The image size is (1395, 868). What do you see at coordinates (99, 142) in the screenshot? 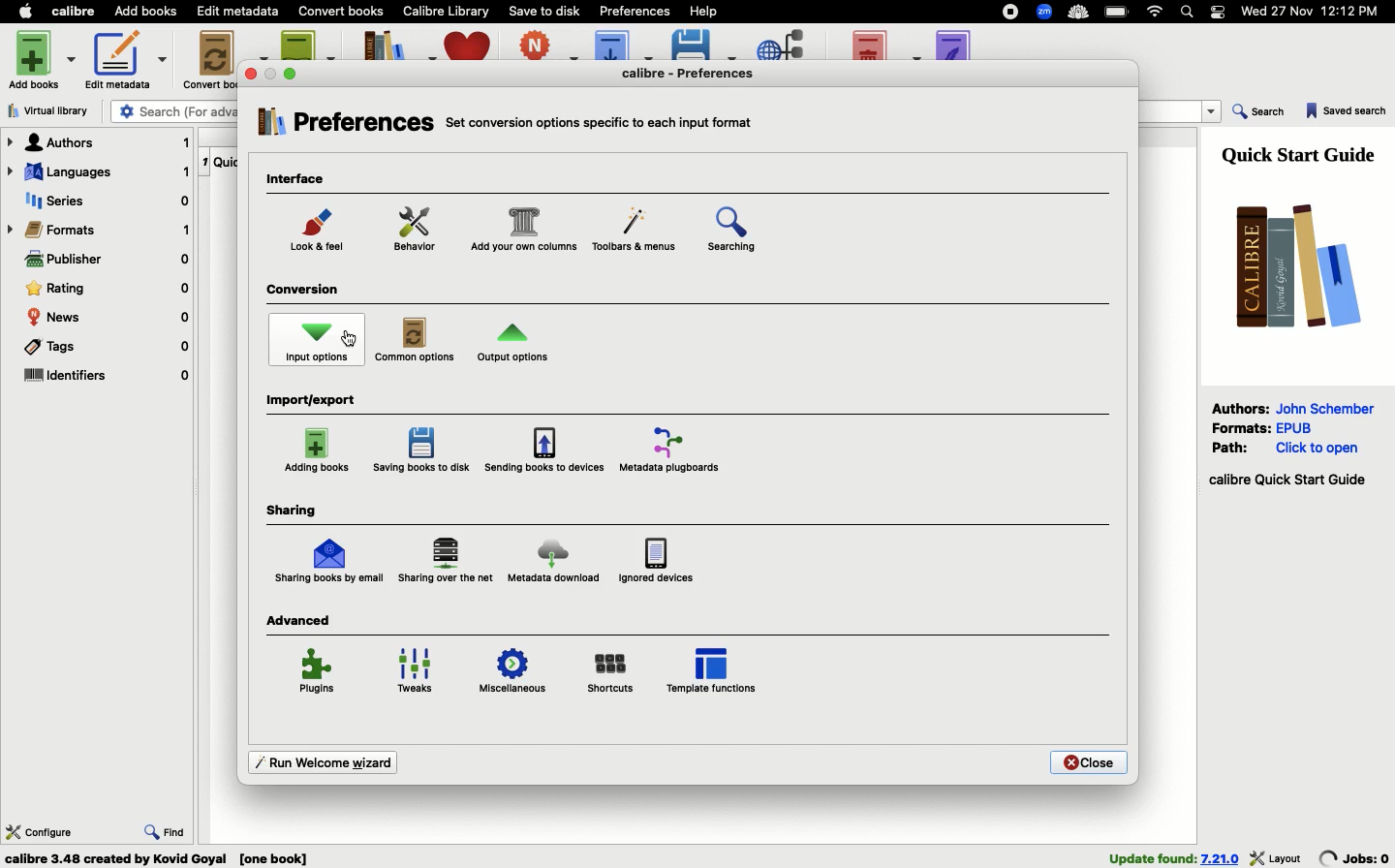
I see `Authors` at bounding box center [99, 142].